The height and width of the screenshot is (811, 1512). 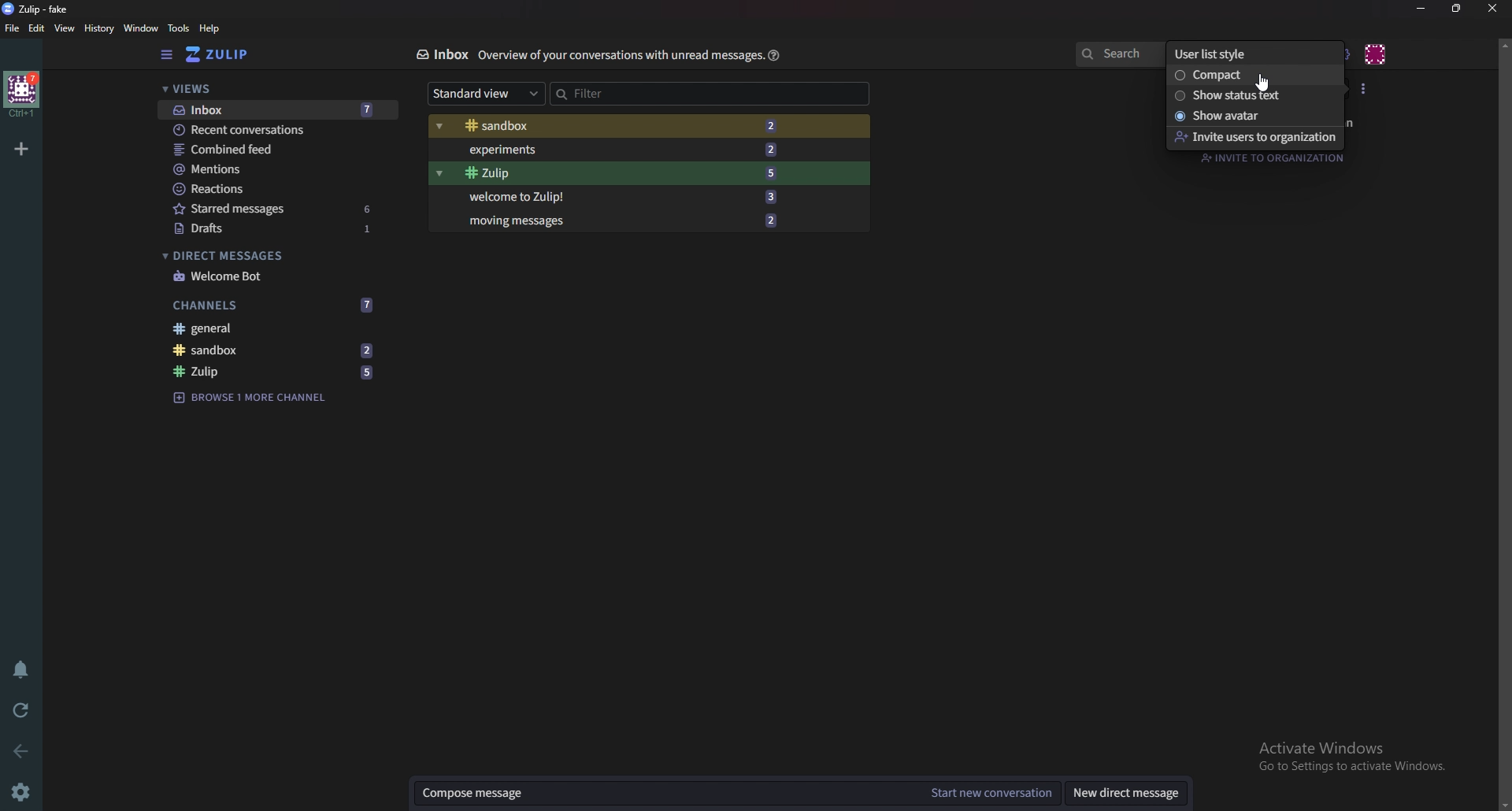 What do you see at coordinates (625, 126) in the screenshot?
I see `Sandbox` at bounding box center [625, 126].